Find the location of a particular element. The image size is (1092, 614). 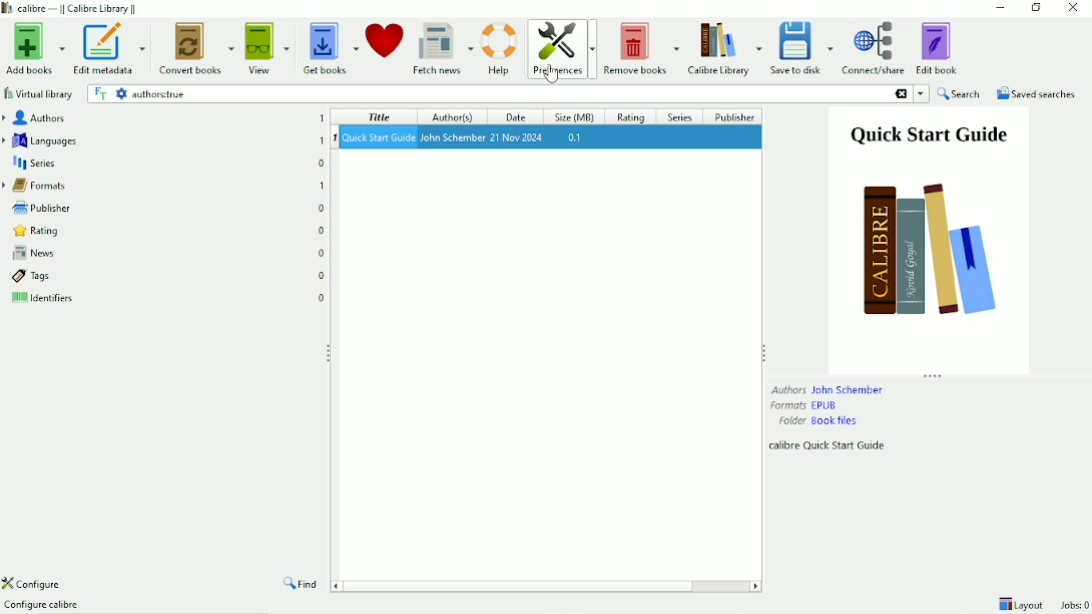

full text search is located at coordinates (101, 95).